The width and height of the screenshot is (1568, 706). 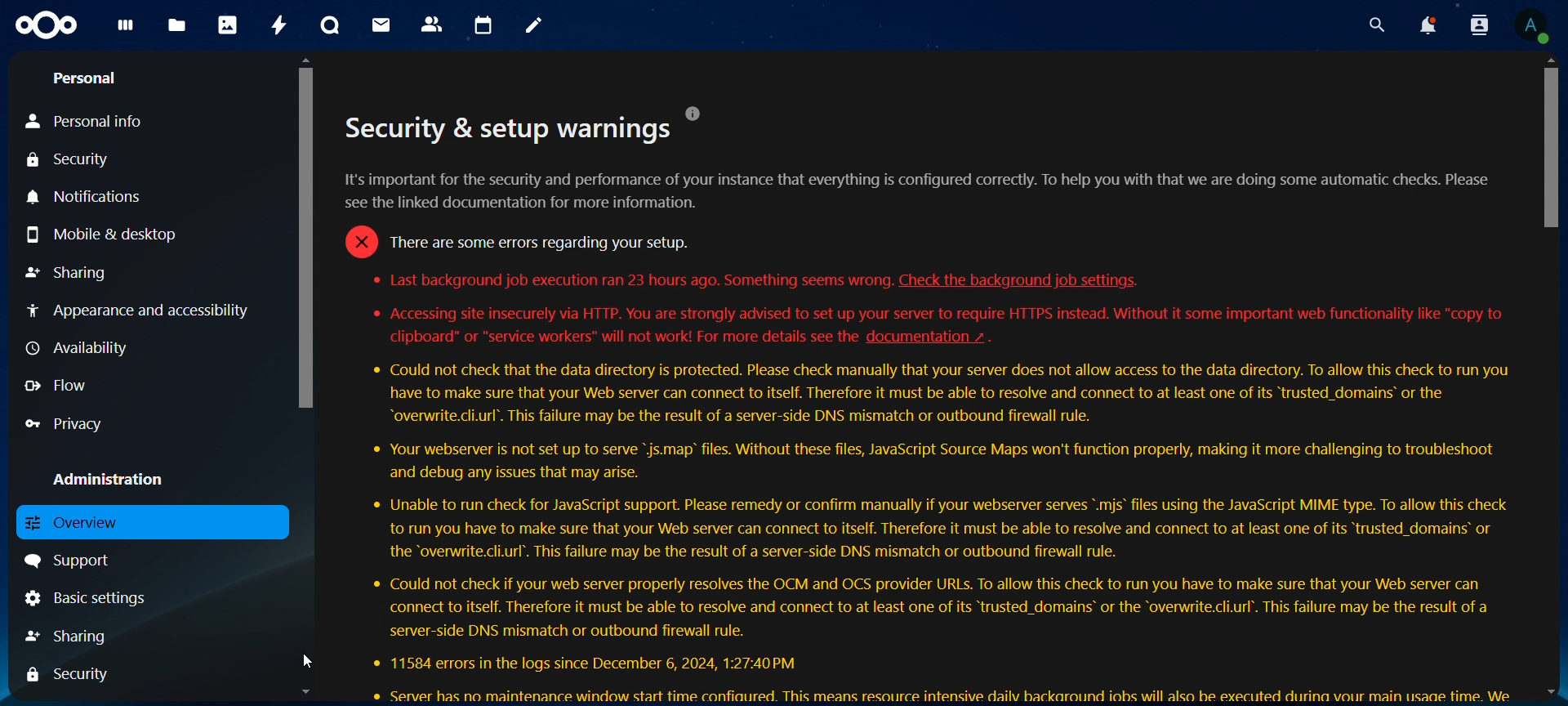 What do you see at coordinates (87, 521) in the screenshot?
I see `overview` at bounding box center [87, 521].